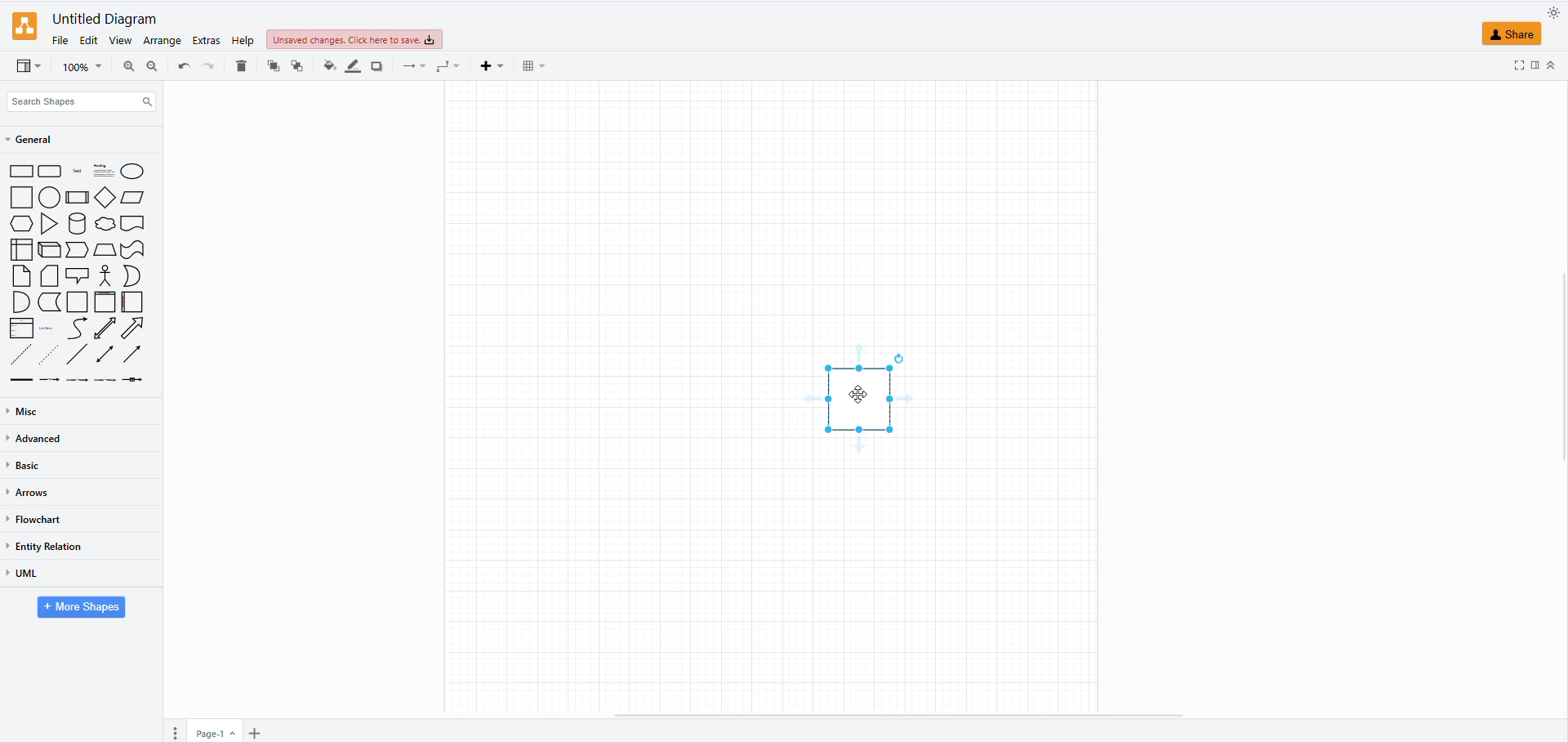  I want to click on Or, so click(132, 275).